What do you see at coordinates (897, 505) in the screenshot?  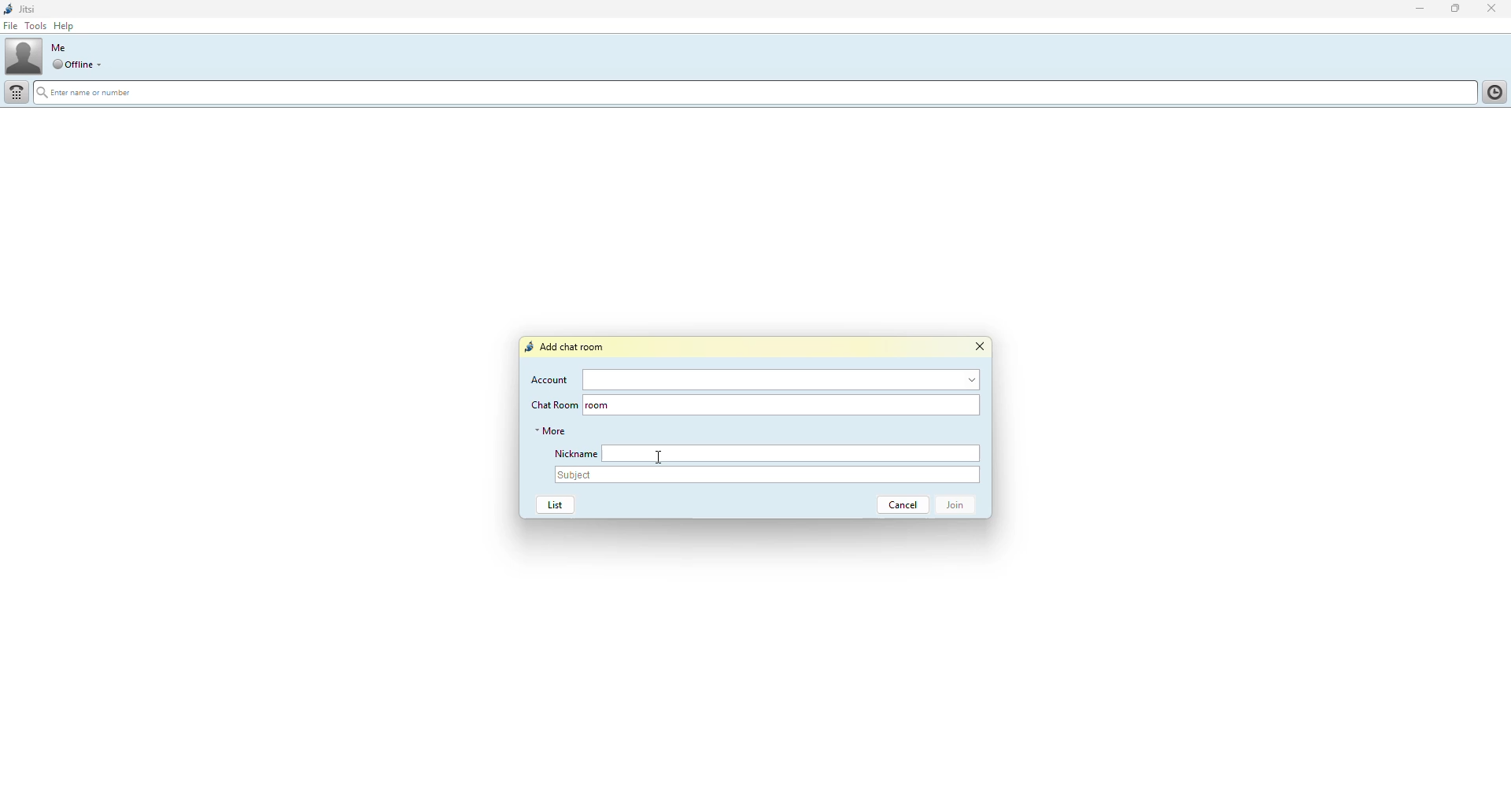 I see `cancel` at bounding box center [897, 505].